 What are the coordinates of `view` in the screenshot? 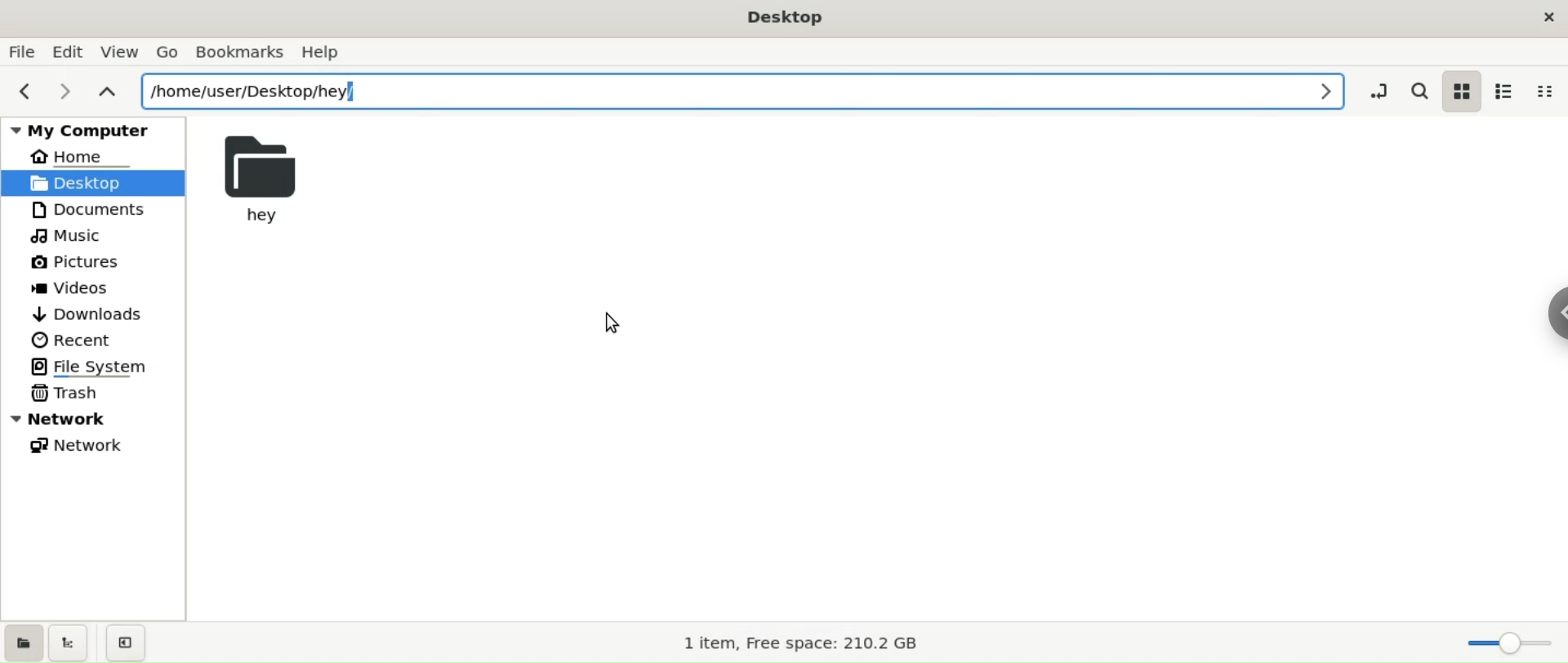 It's located at (122, 52).